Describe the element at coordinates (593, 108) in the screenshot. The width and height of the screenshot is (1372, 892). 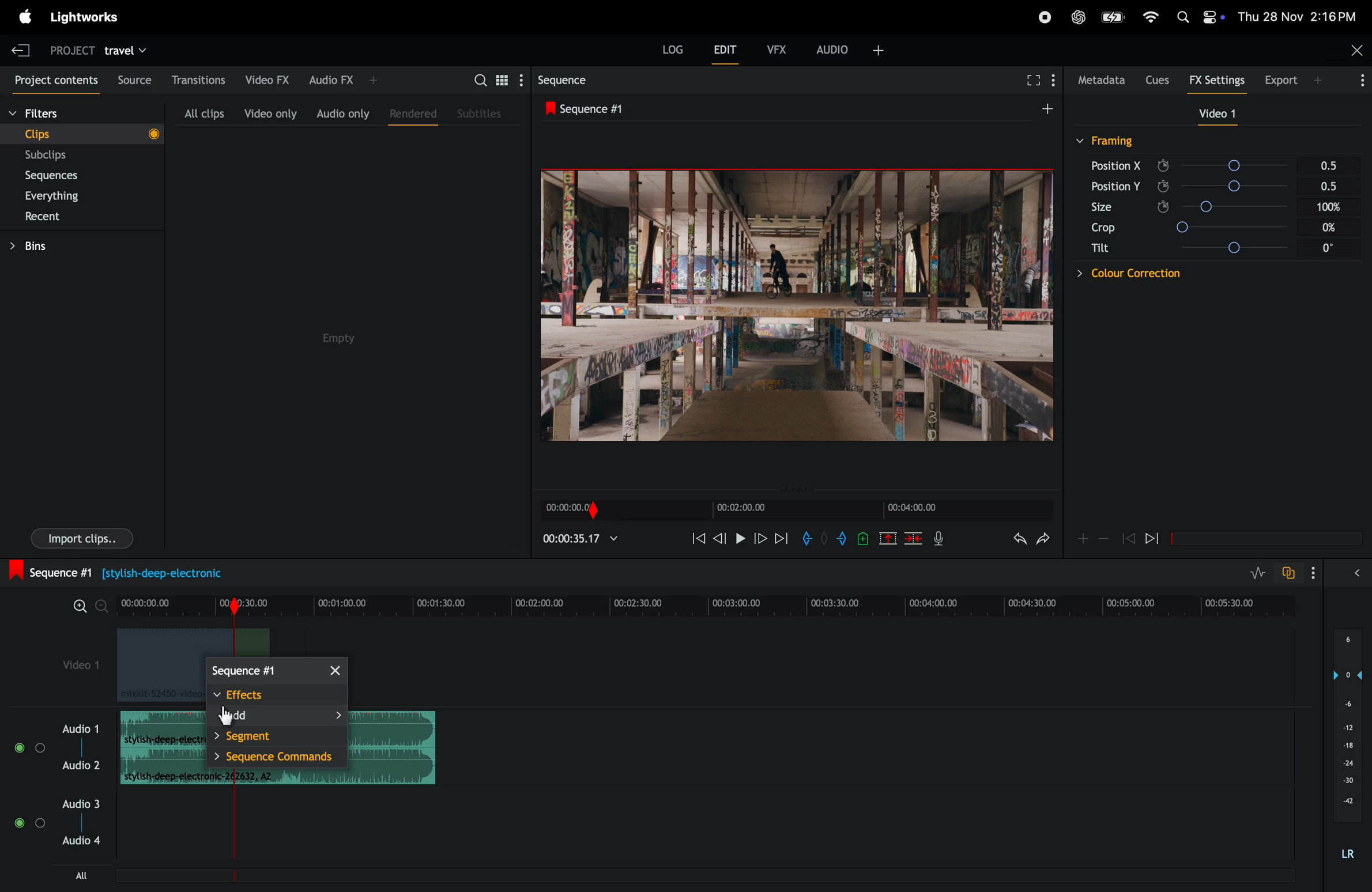
I see `sequence` at that location.